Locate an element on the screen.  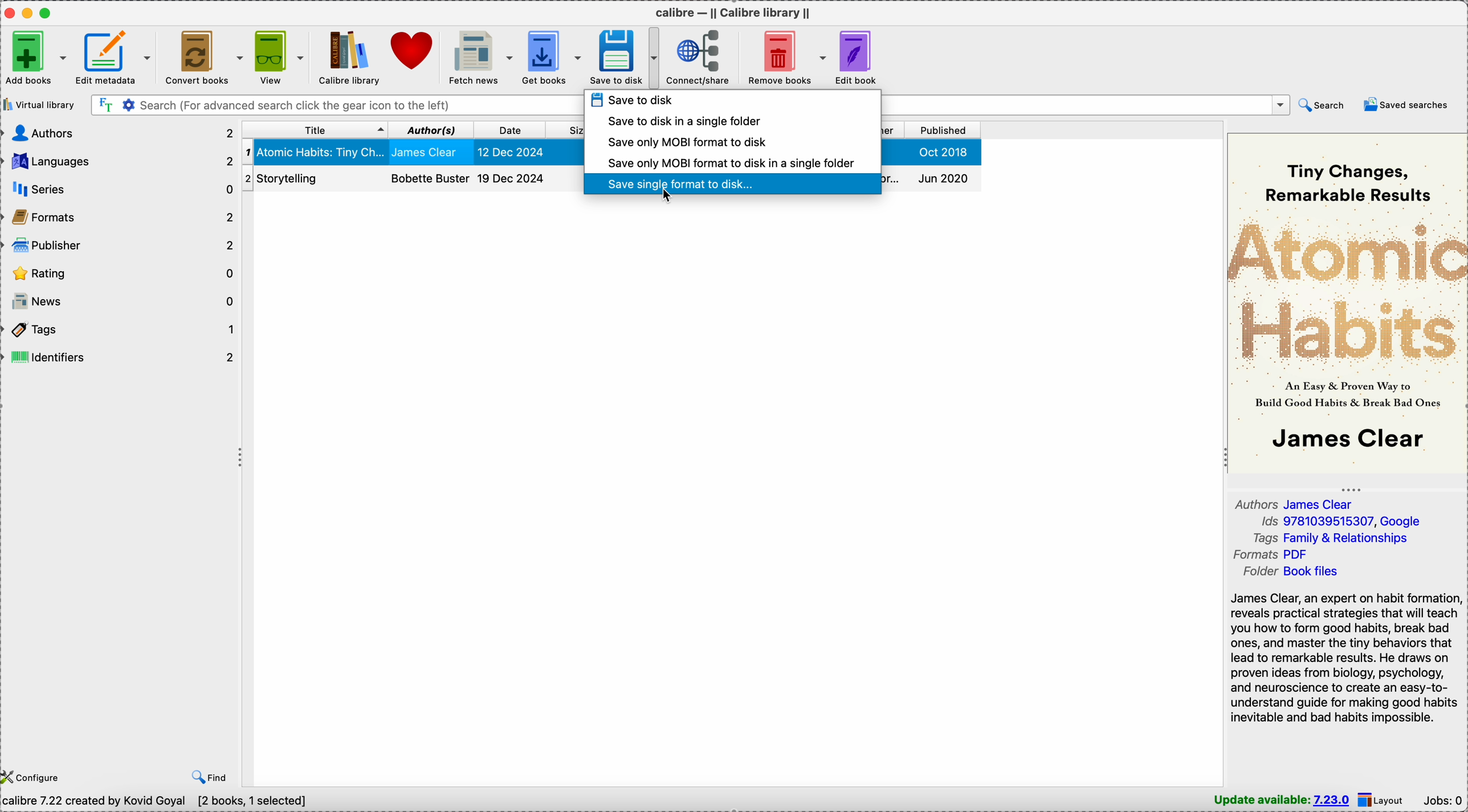
edit book is located at coordinates (861, 55).